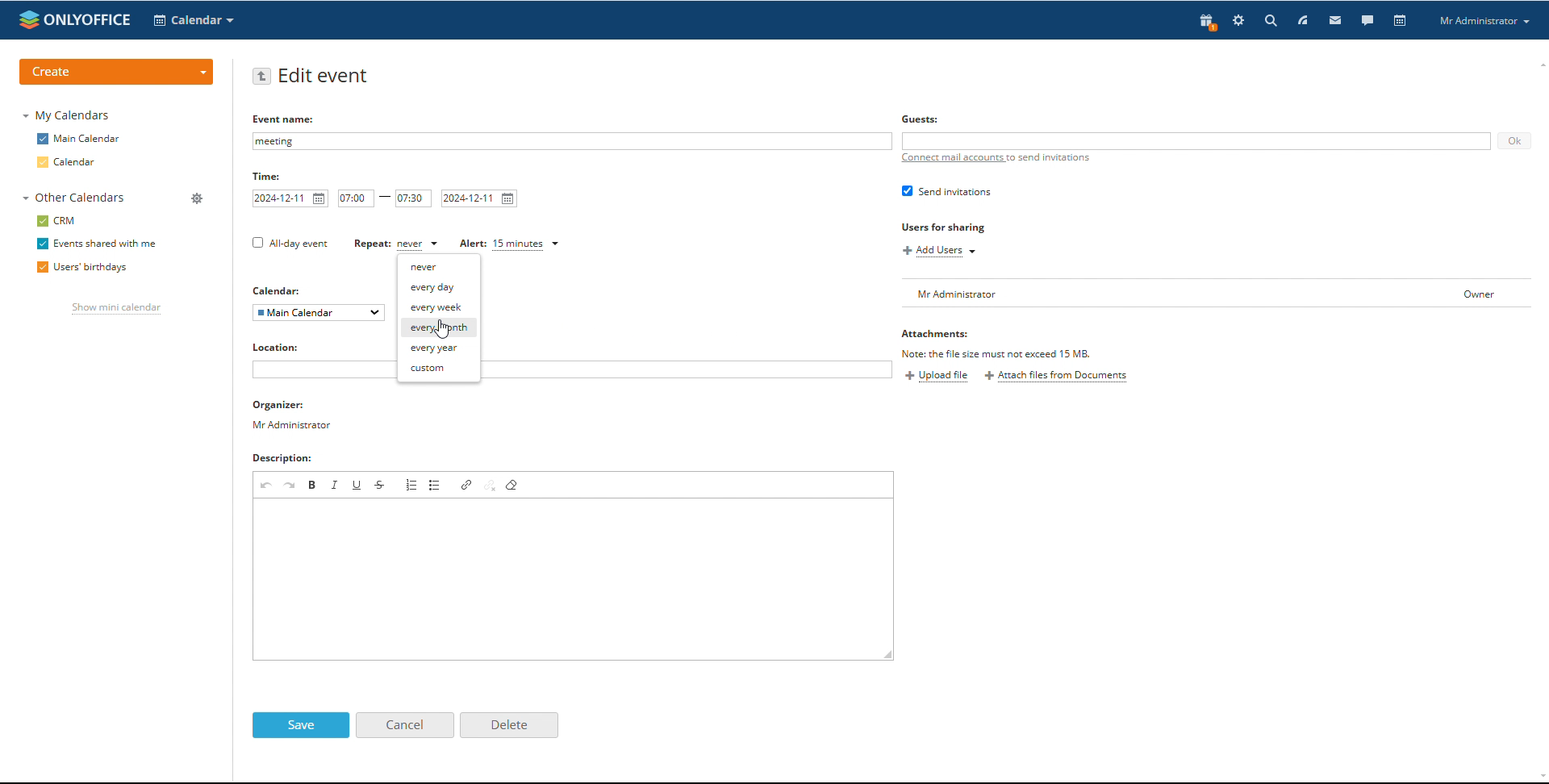 The height and width of the screenshot is (784, 1549). I want to click on guests, so click(922, 119).